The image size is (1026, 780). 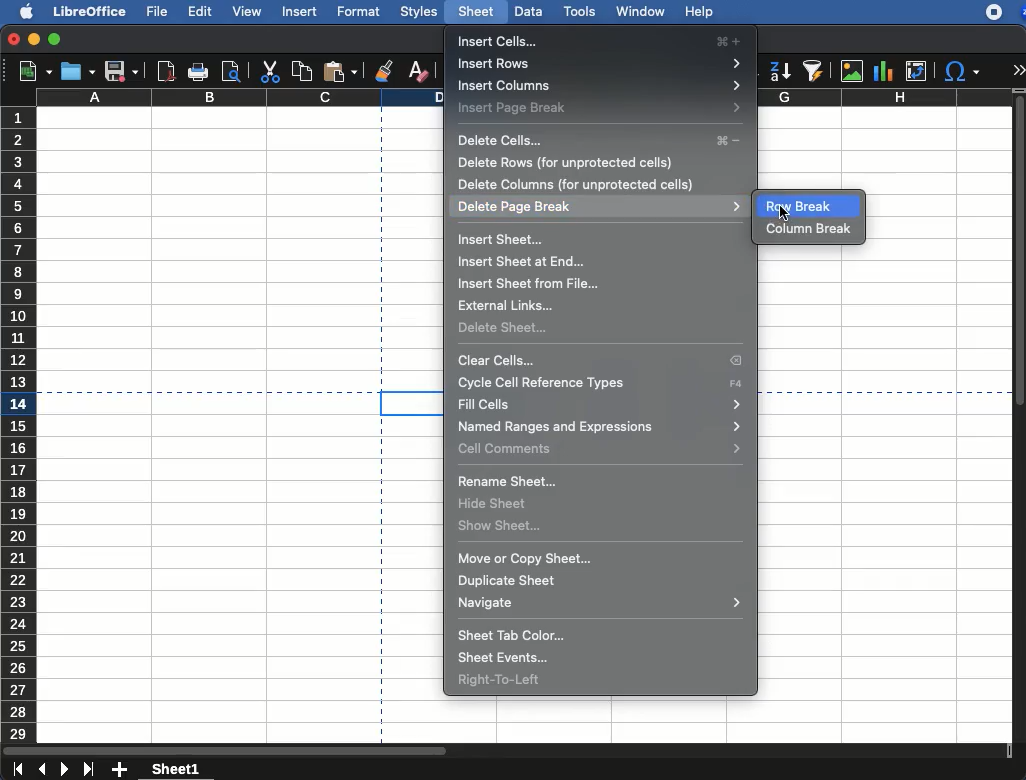 What do you see at coordinates (598, 603) in the screenshot?
I see `navigate` at bounding box center [598, 603].